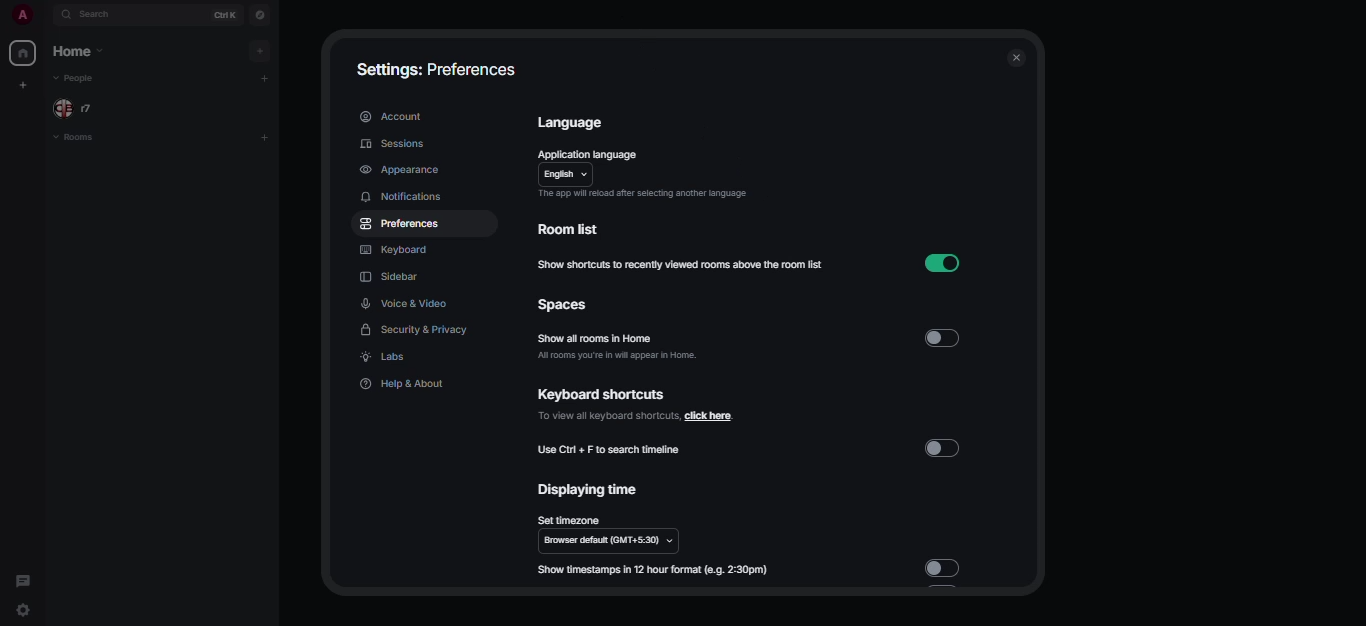 This screenshot has height=626, width=1366. I want to click on add, so click(266, 136).